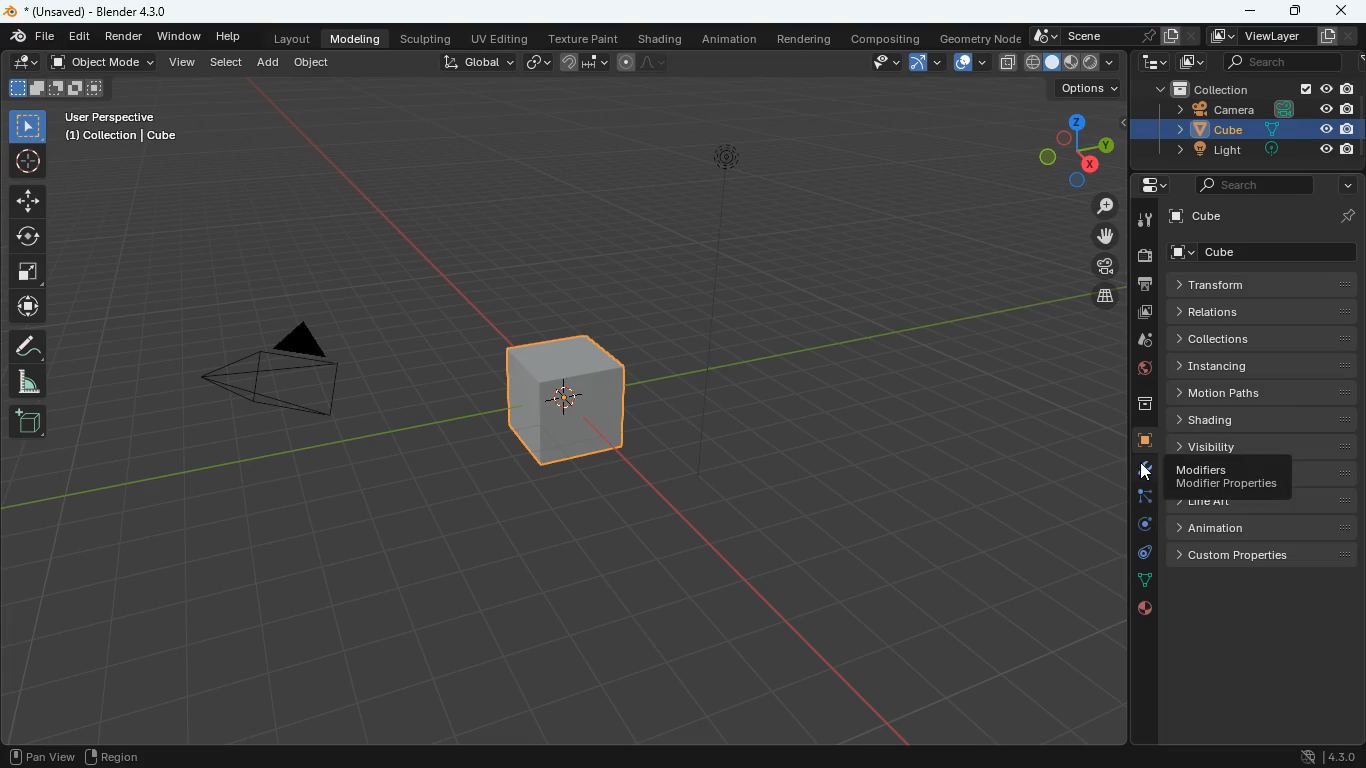 The width and height of the screenshot is (1366, 768). I want to click on , so click(1331, 36).